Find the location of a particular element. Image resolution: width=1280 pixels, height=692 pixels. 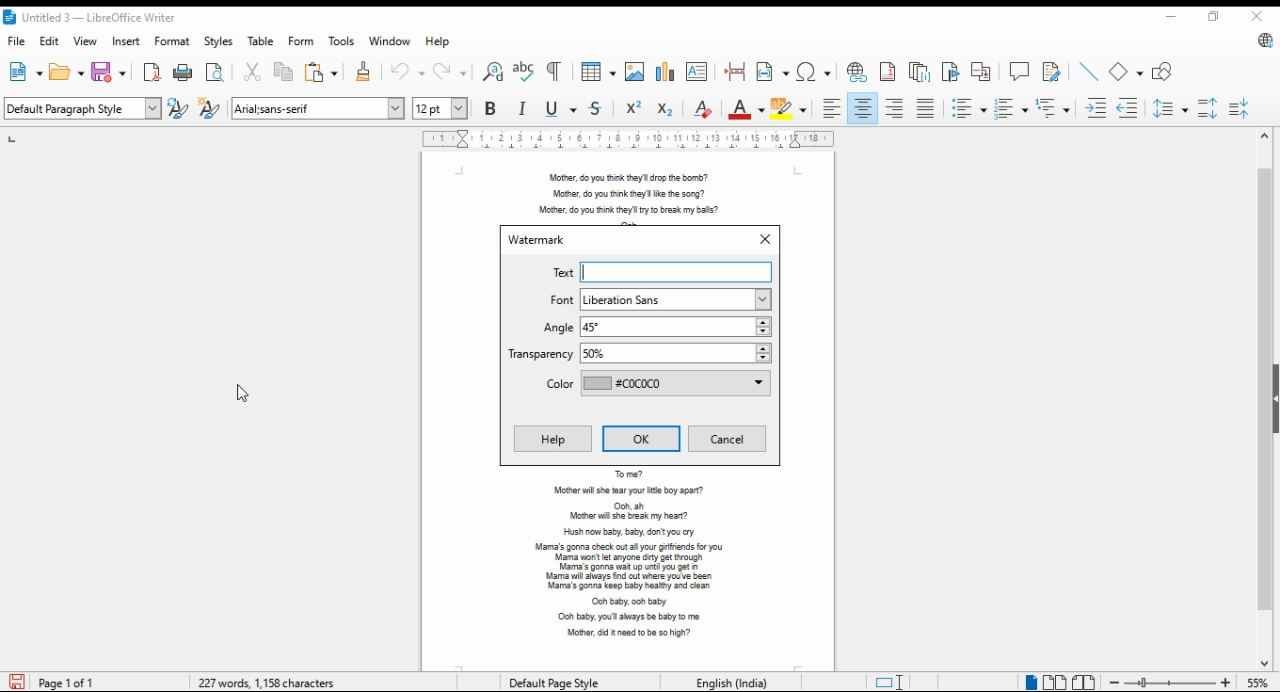

scroll bar is located at coordinates (1264, 399).